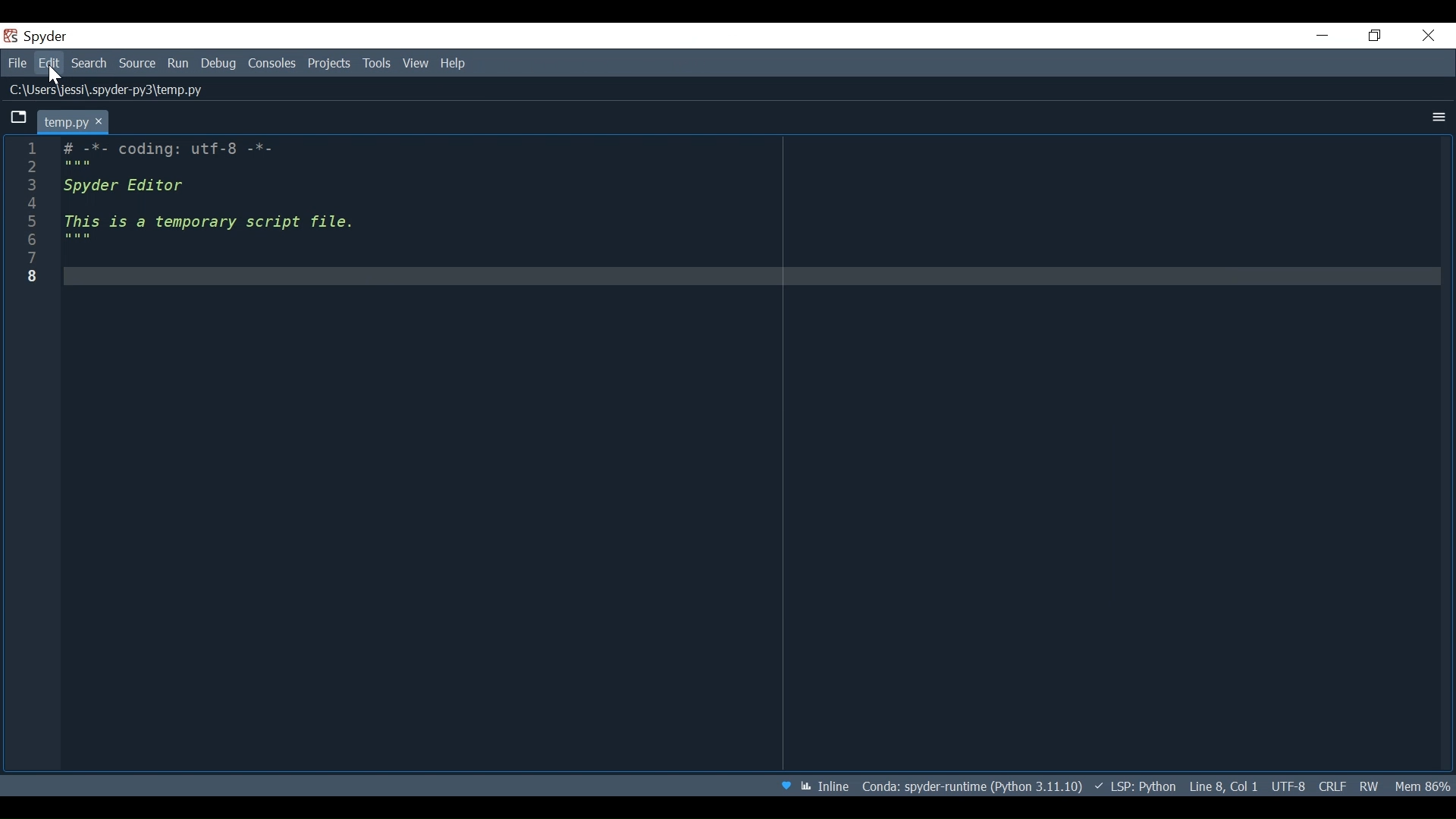 The height and width of the screenshot is (819, 1456). Describe the element at coordinates (56, 76) in the screenshot. I see `Cursor` at that location.